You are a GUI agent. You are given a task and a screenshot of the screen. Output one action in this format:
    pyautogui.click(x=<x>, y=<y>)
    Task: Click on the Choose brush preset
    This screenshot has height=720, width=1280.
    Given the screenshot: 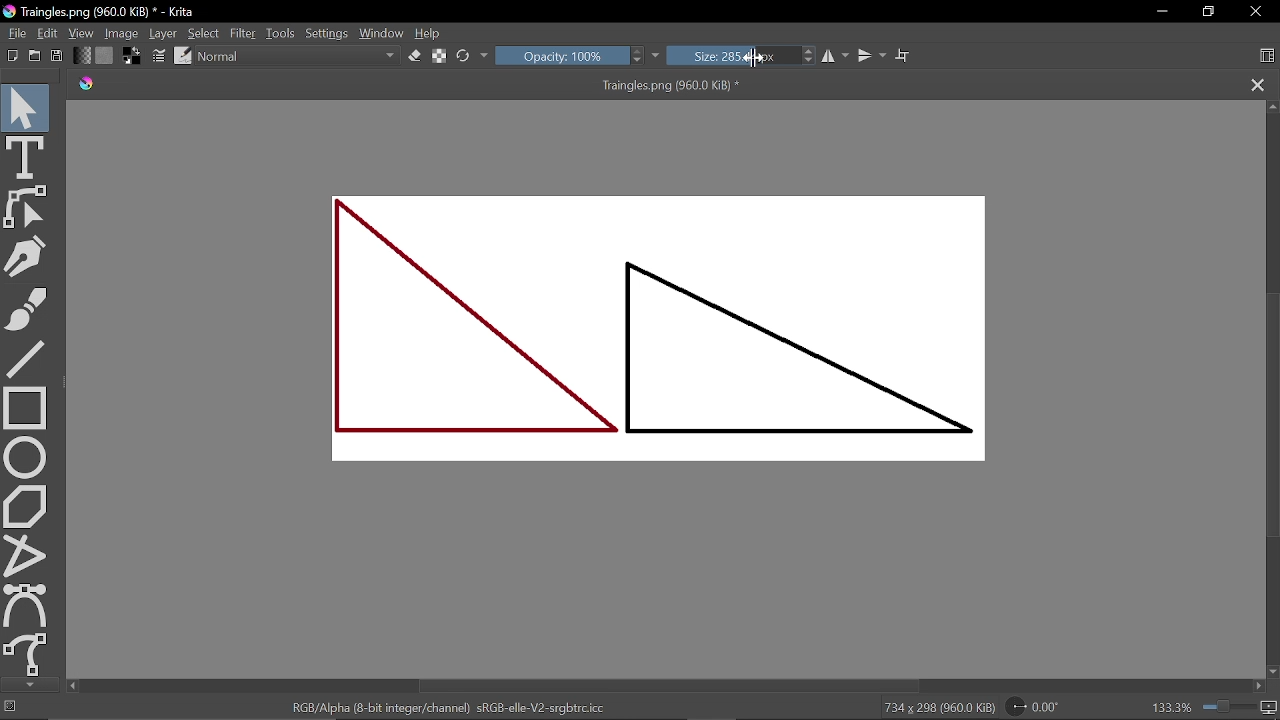 What is the action you would take?
    pyautogui.click(x=183, y=56)
    